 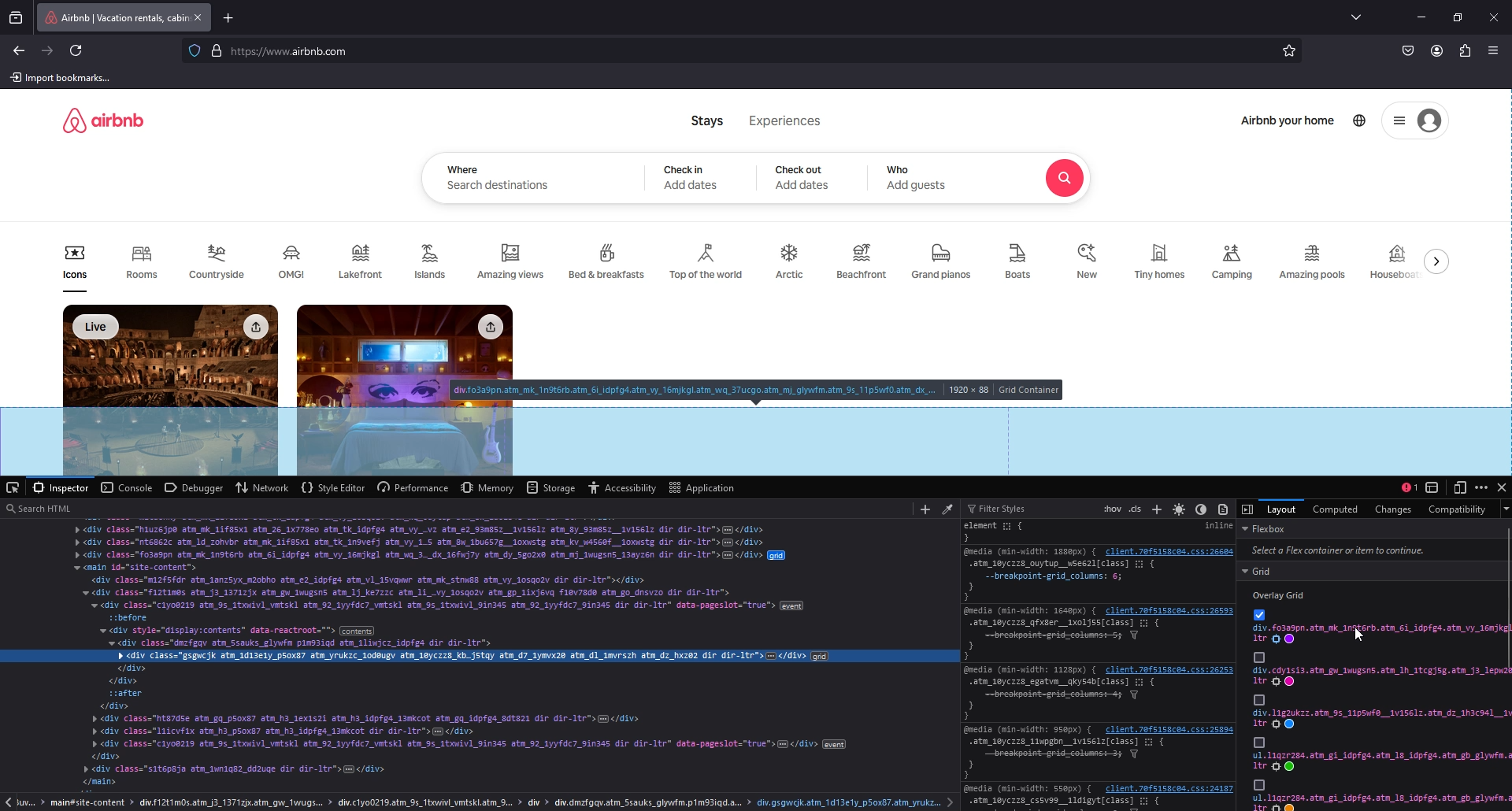 I want to click on storage, so click(x=552, y=487).